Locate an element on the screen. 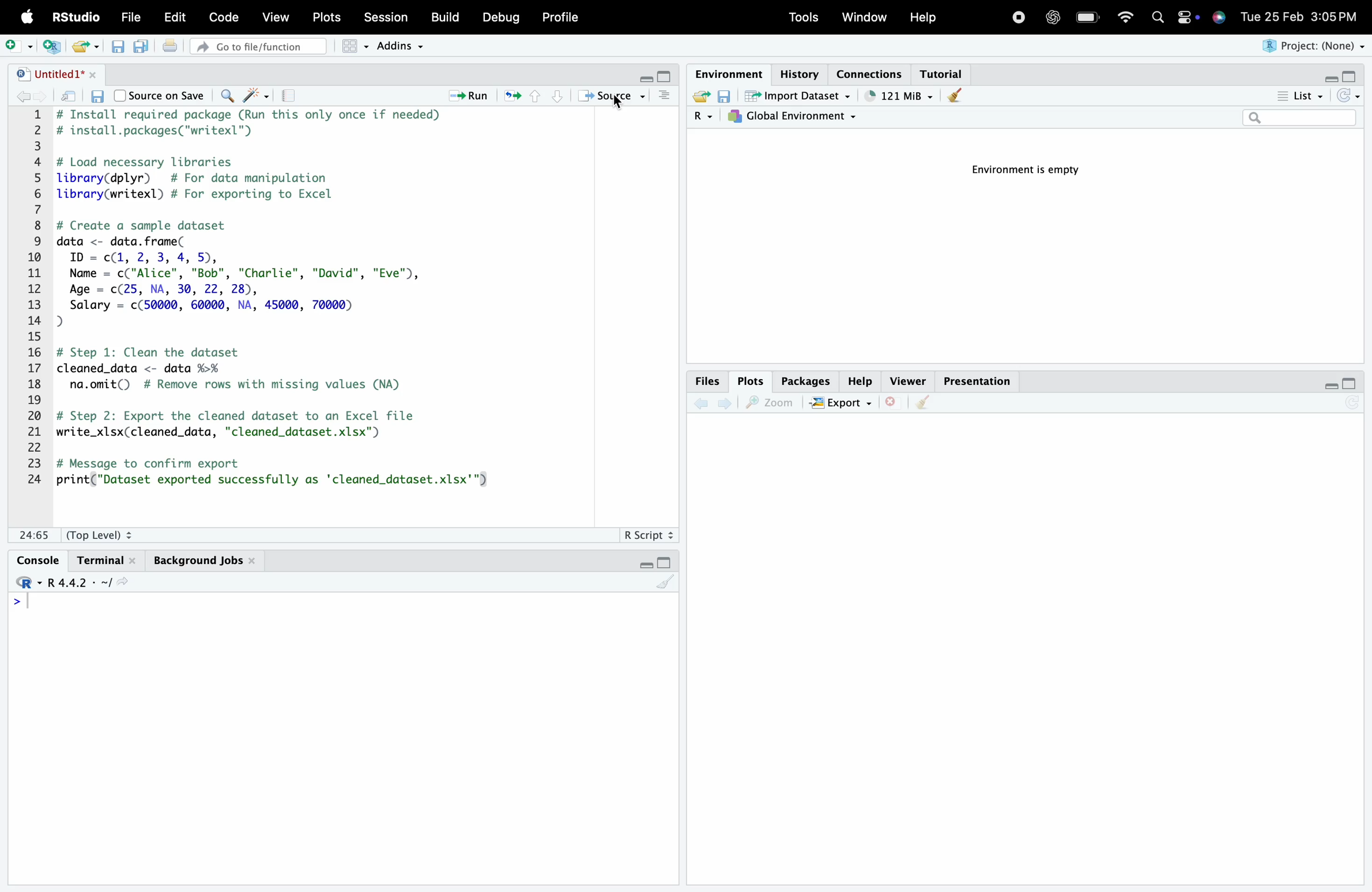  Charging is located at coordinates (1088, 17).